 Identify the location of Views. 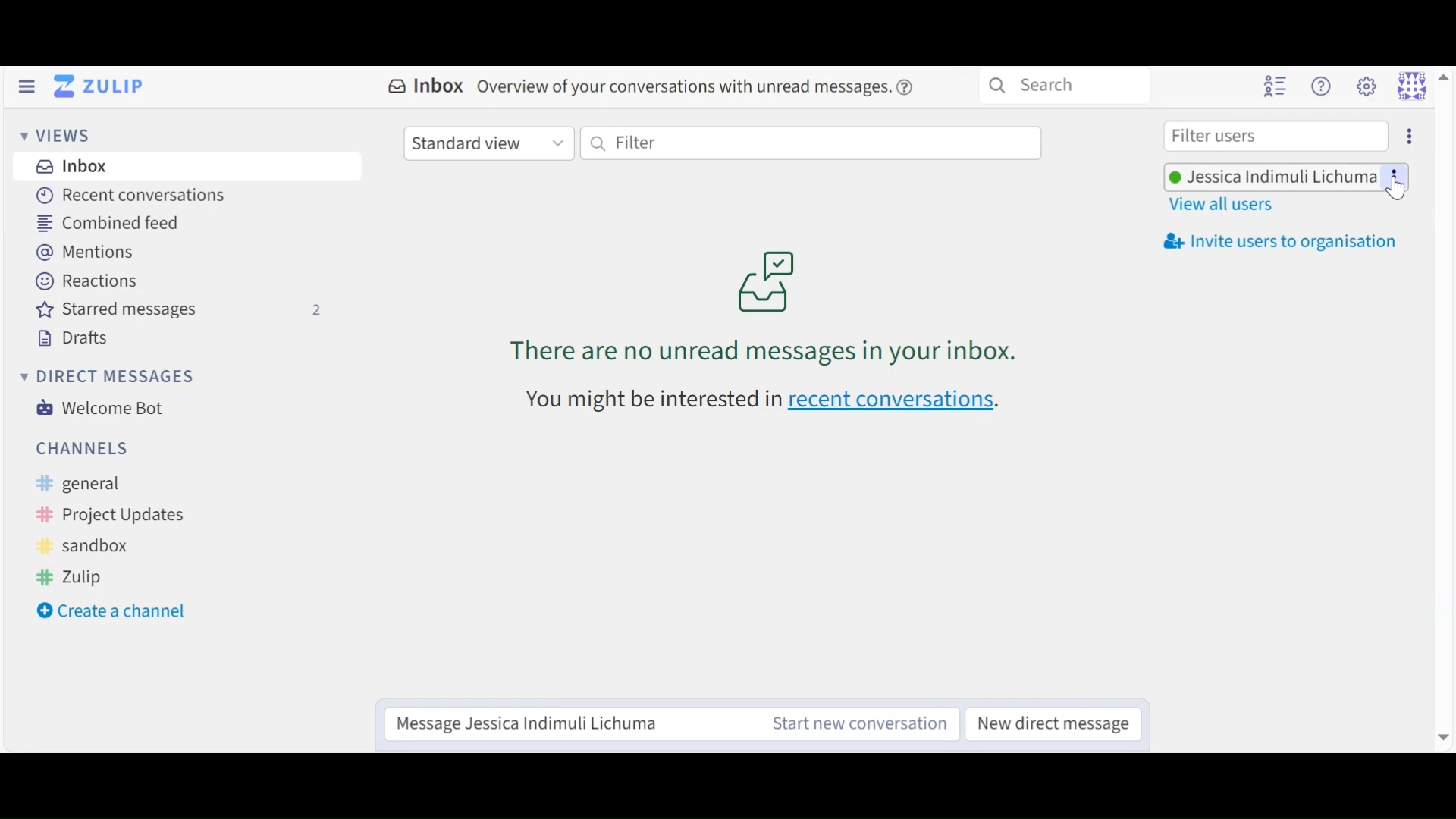
(60, 137).